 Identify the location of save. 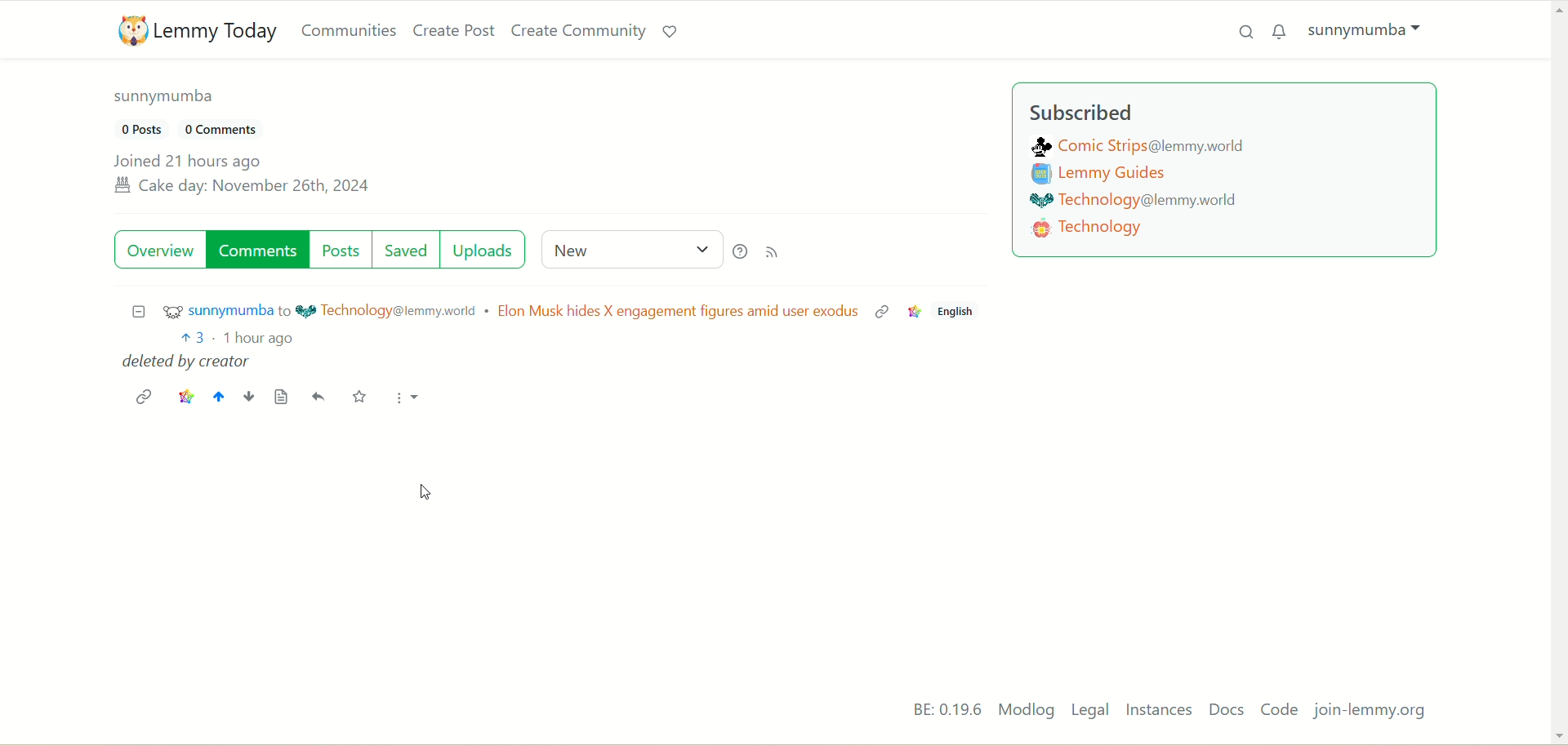
(357, 395).